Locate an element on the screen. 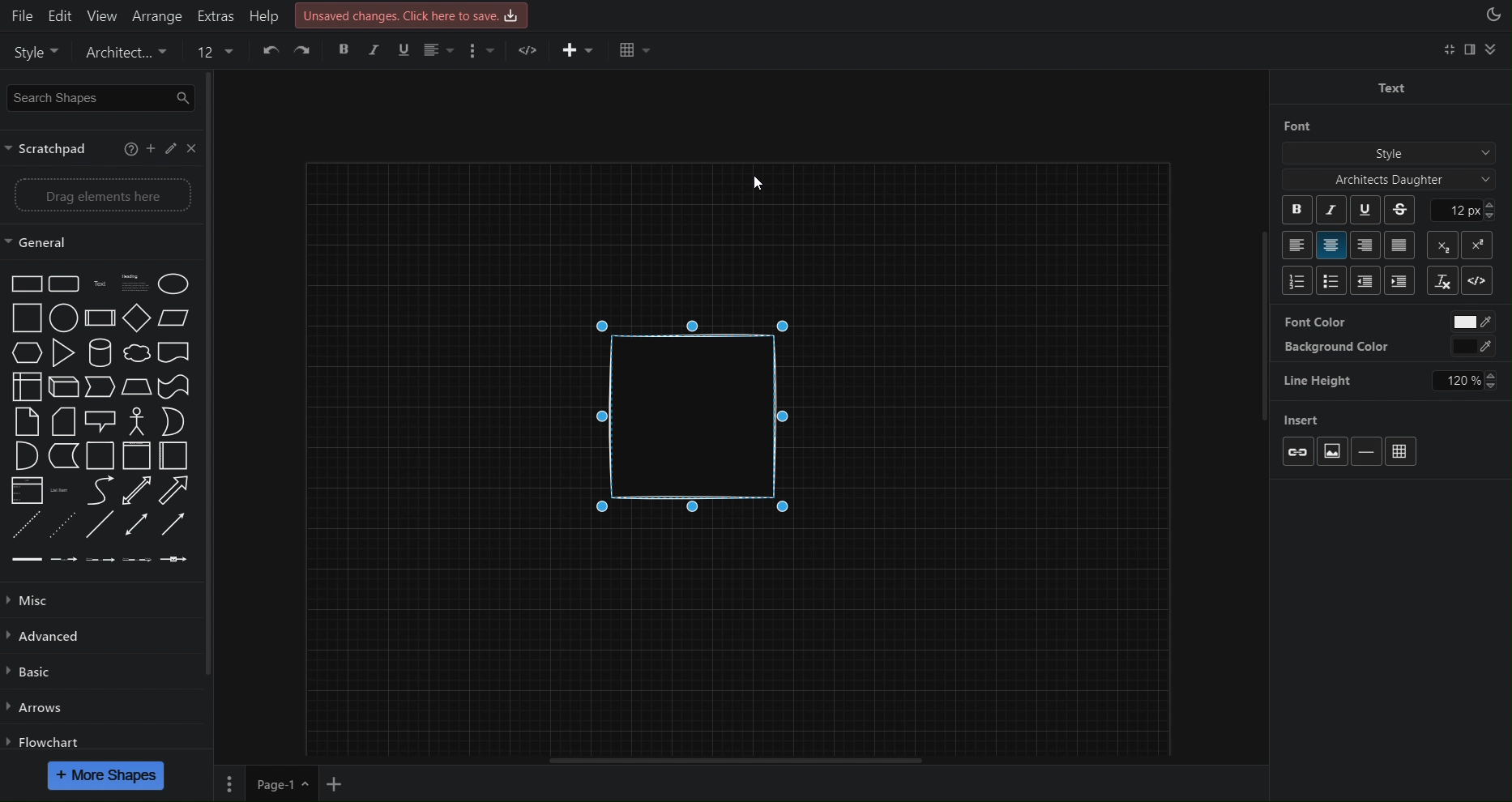  Italiax is located at coordinates (1440, 279).